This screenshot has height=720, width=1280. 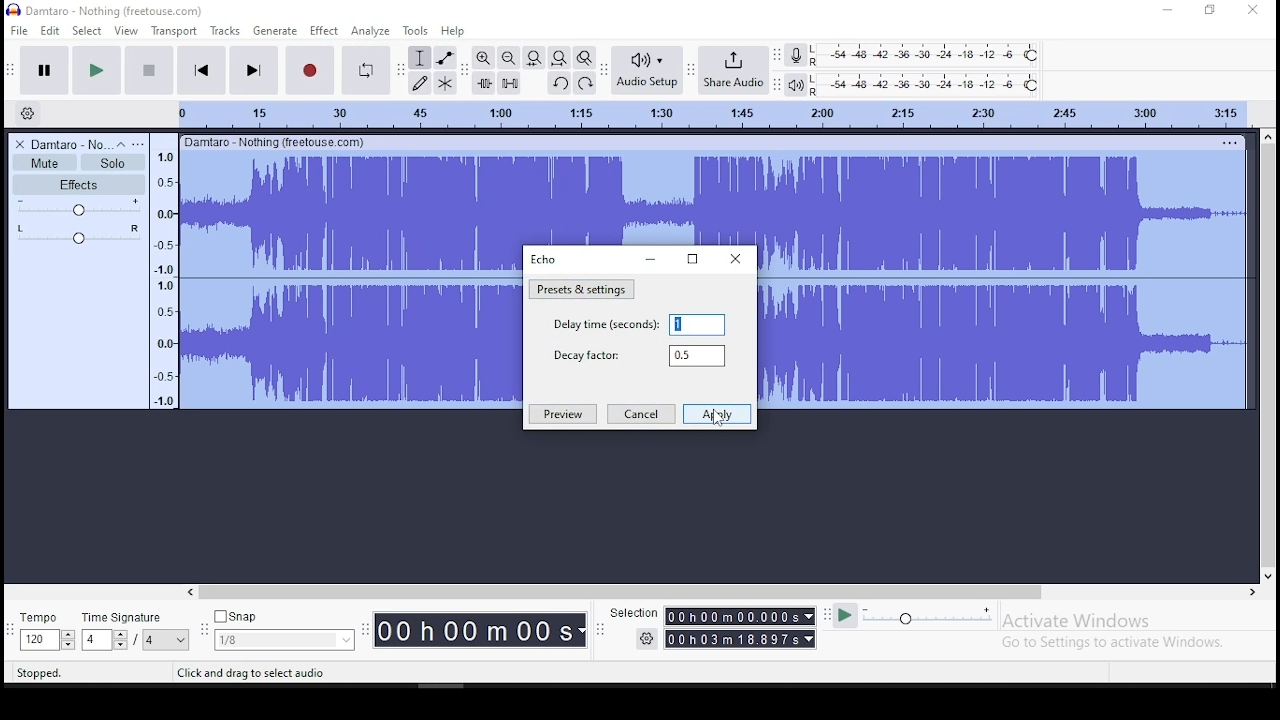 I want to click on 1/8, so click(x=270, y=640).